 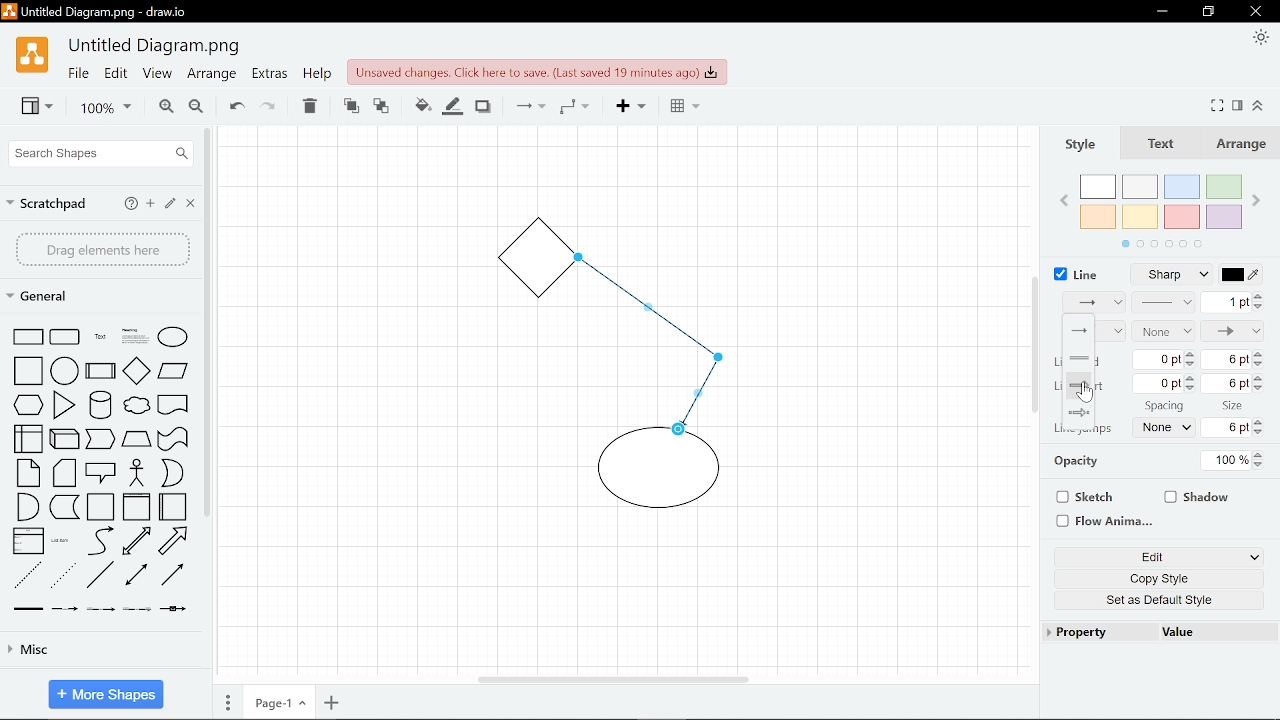 What do you see at coordinates (173, 439) in the screenshot?
I see `shape` at bounding box center [173, 439].